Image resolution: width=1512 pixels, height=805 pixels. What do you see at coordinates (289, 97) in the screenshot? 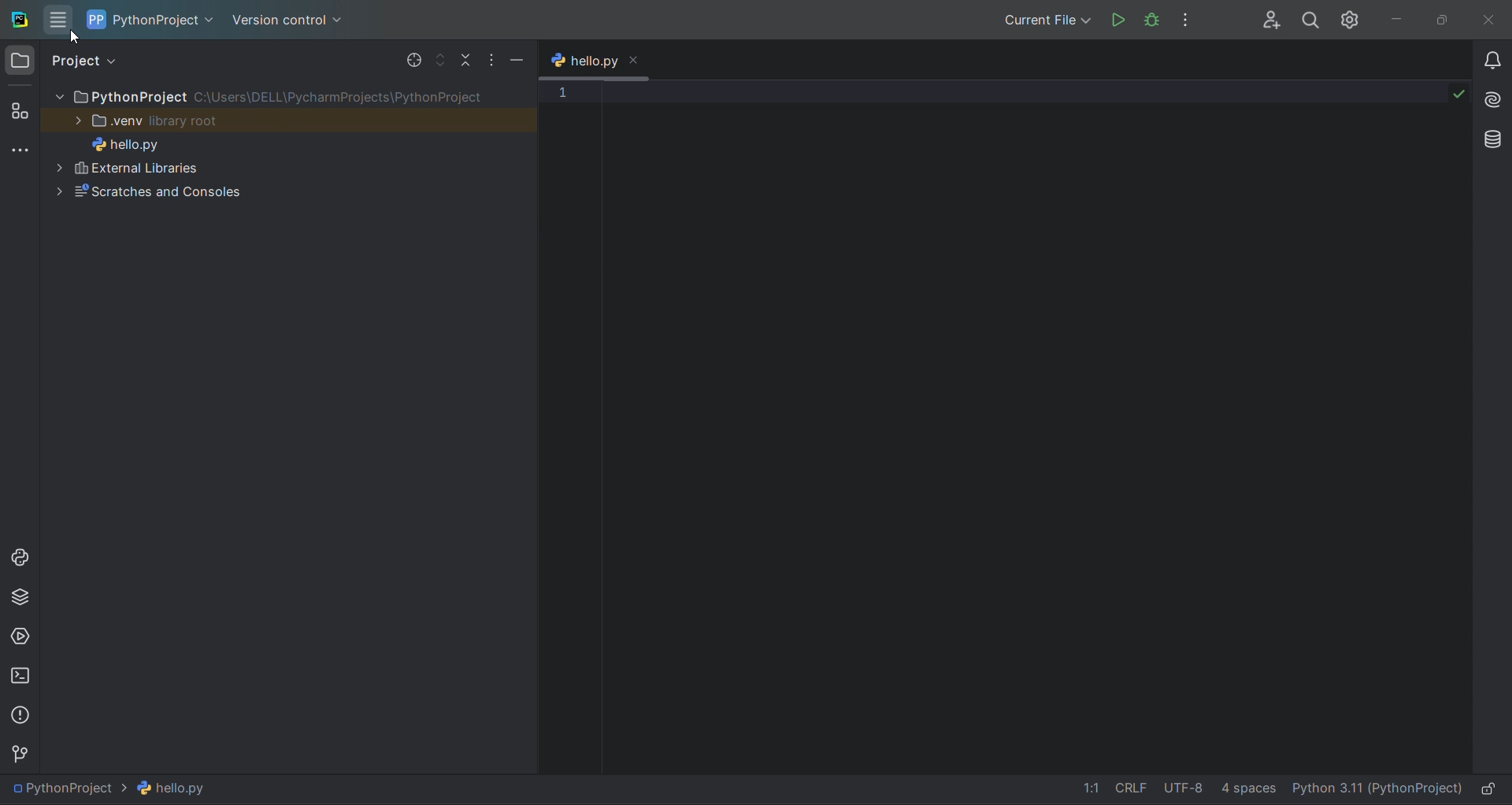
I see `PythonProject` at bounding box center [289, 97].